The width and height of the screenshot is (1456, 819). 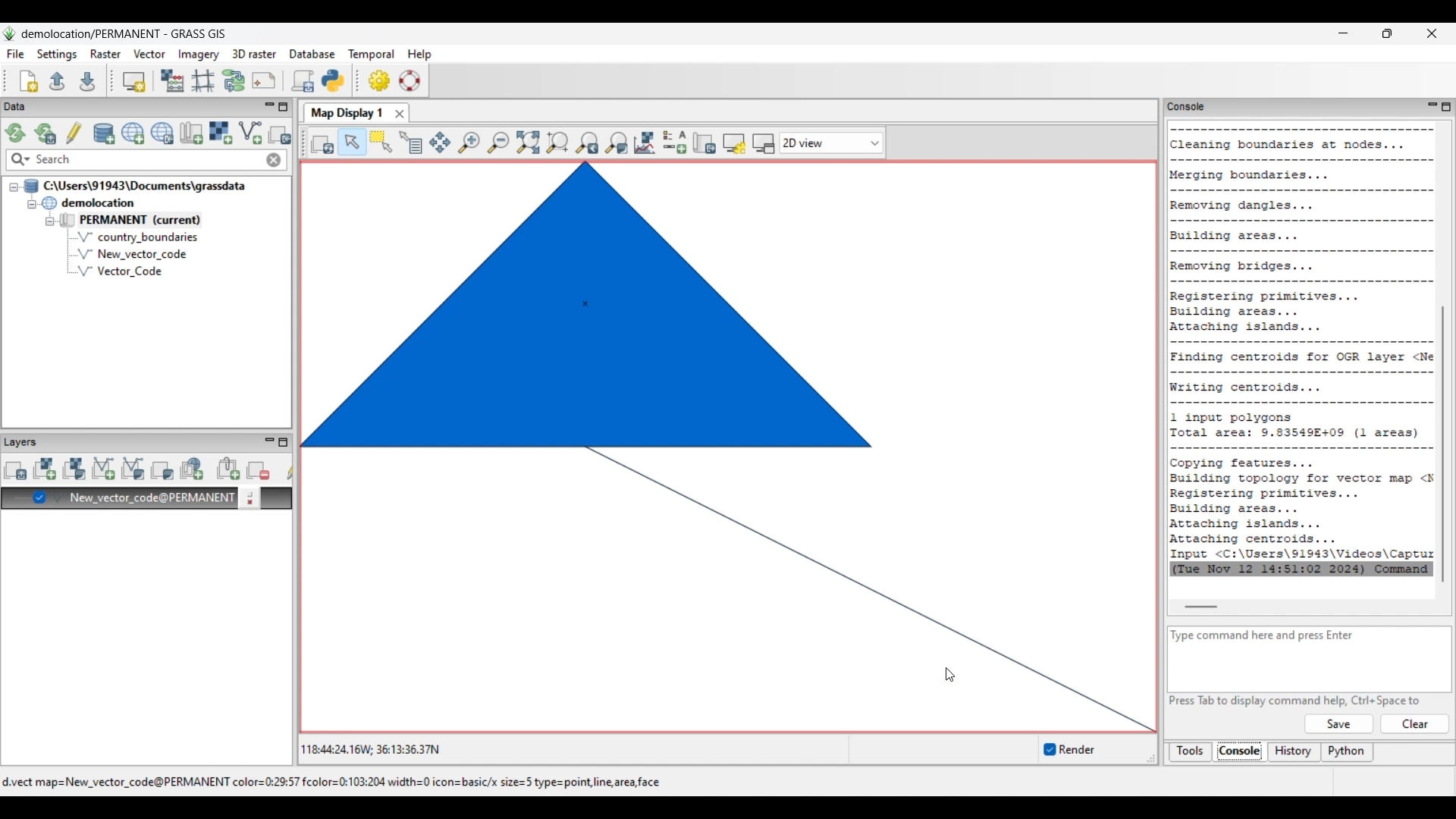 What do you see at coordinates (419, 54) in the screenshot?
I see `Help menu` at bounding box center [419, 54].